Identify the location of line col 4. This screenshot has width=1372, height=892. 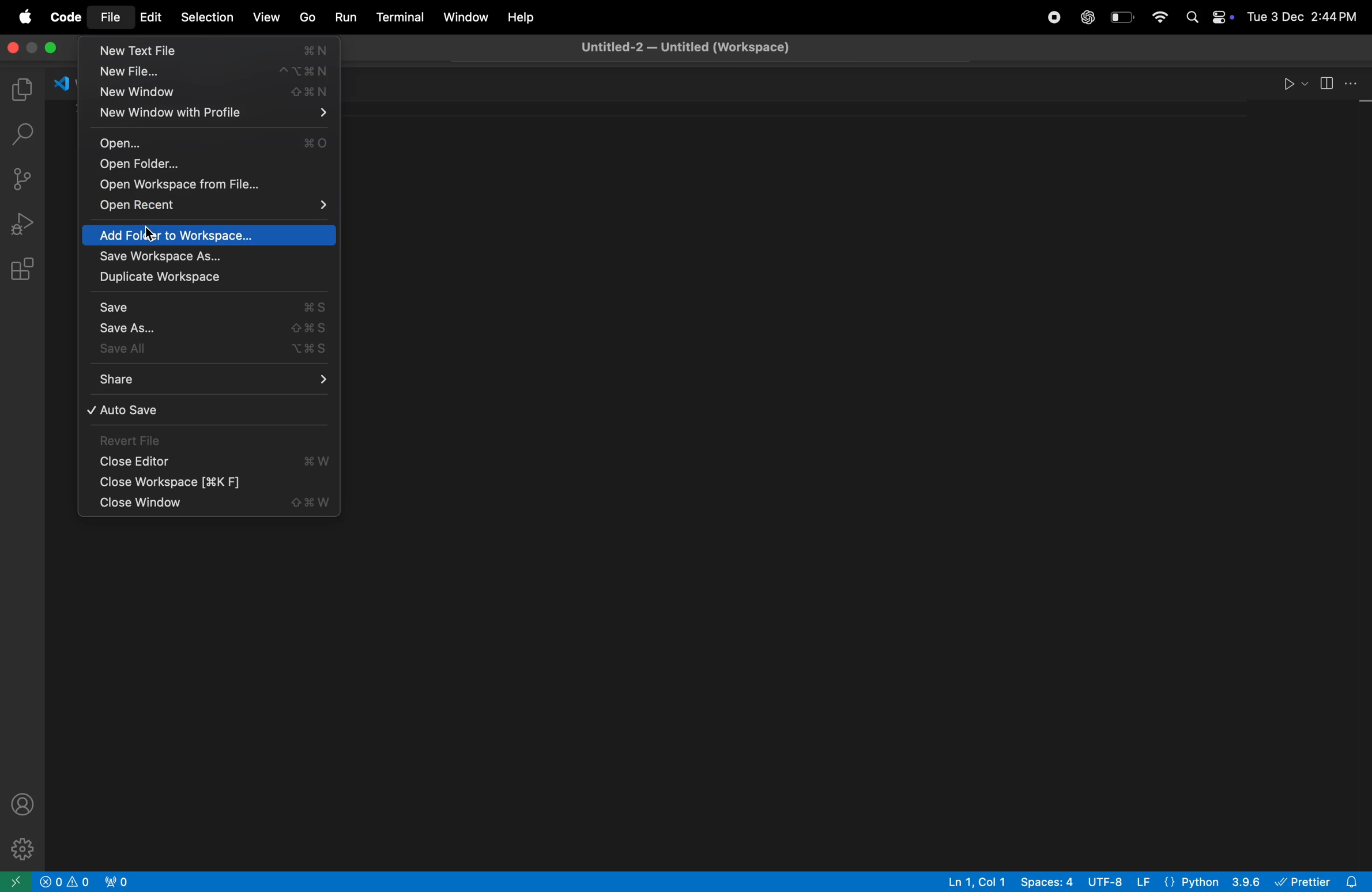
(979, 882).